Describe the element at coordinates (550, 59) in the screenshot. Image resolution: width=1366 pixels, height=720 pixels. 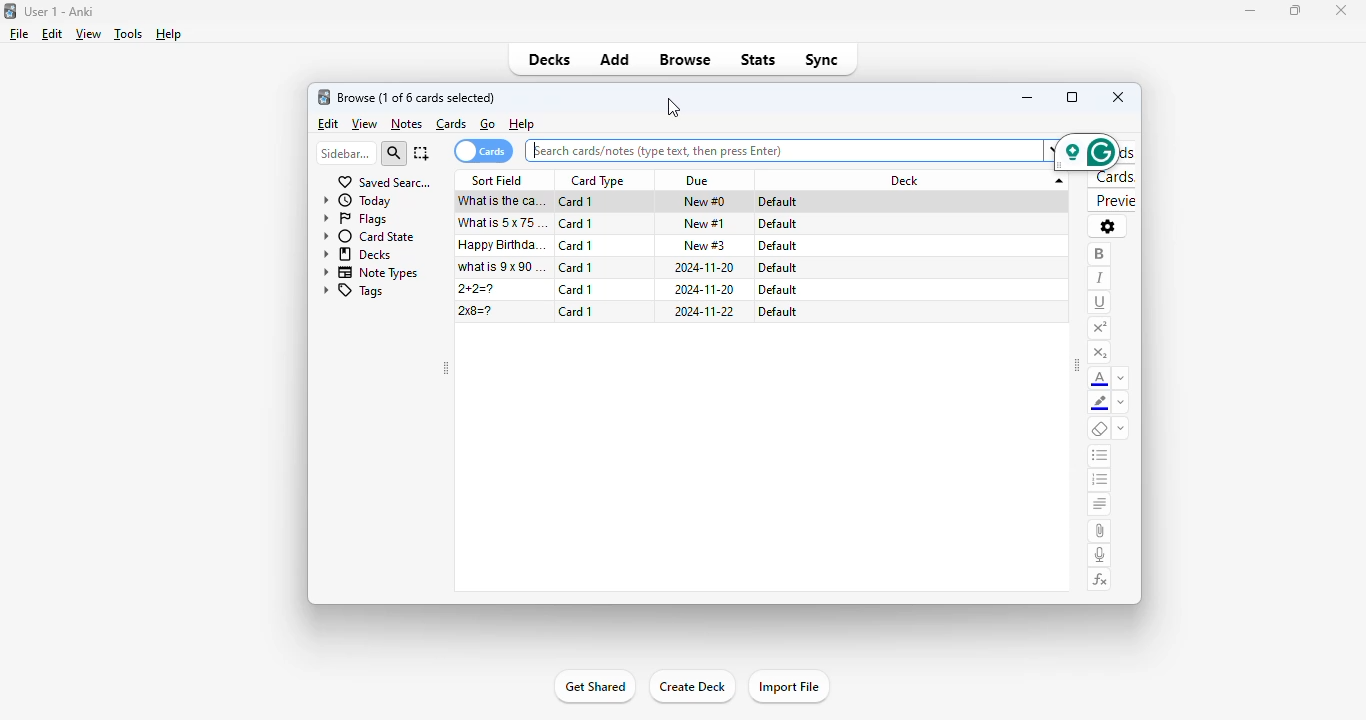
I see `decks` at that location.